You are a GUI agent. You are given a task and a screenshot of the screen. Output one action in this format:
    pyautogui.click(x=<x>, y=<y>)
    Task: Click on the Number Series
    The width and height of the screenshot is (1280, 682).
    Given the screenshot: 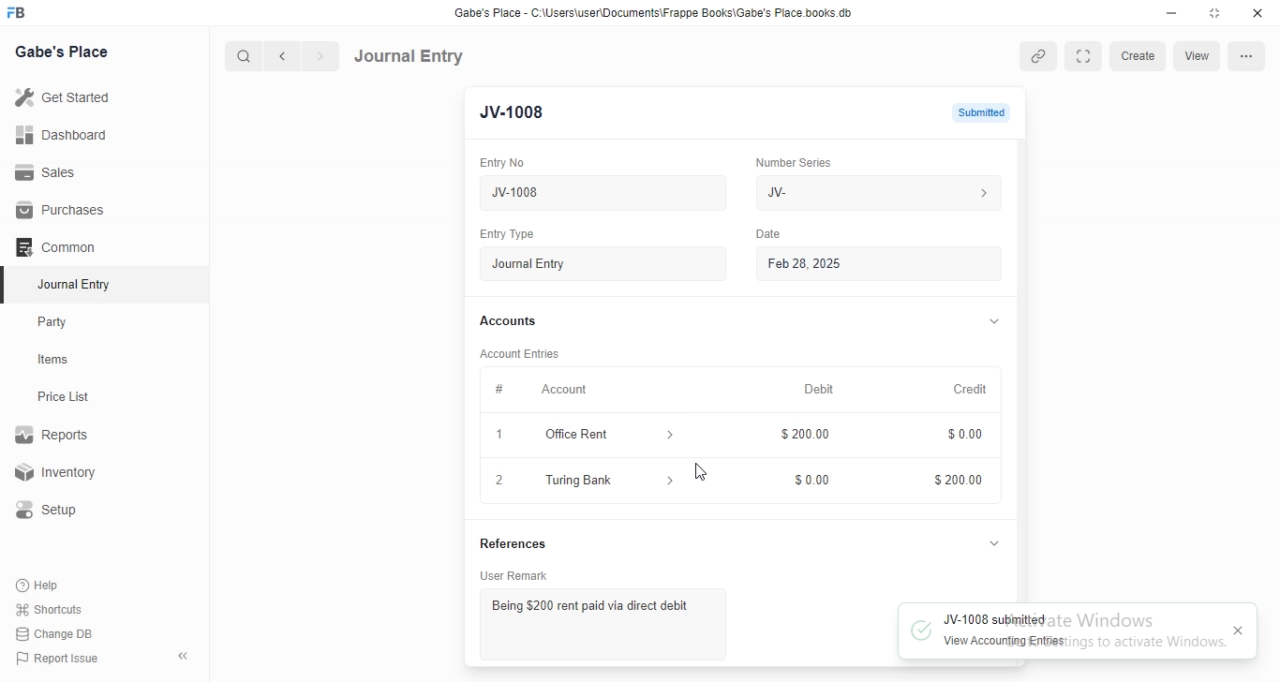 What is the action you would take?
    pyautogui.click(x=793, y=160)
    